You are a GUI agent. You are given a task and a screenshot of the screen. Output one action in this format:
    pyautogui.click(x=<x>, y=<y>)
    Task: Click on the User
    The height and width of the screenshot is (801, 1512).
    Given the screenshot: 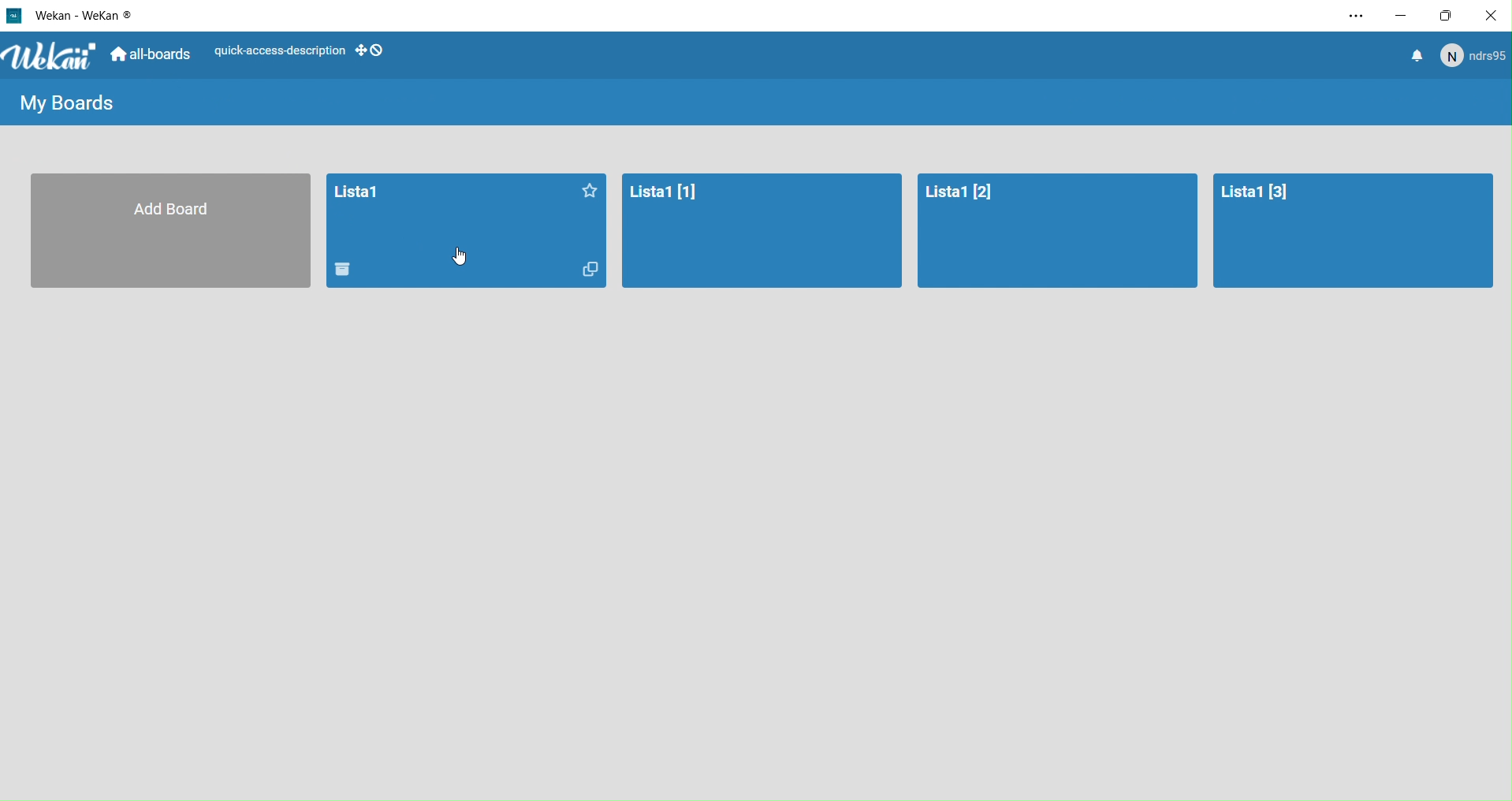 What is the action you would take?
    pyautogui.click(x=1473, y=58)
    